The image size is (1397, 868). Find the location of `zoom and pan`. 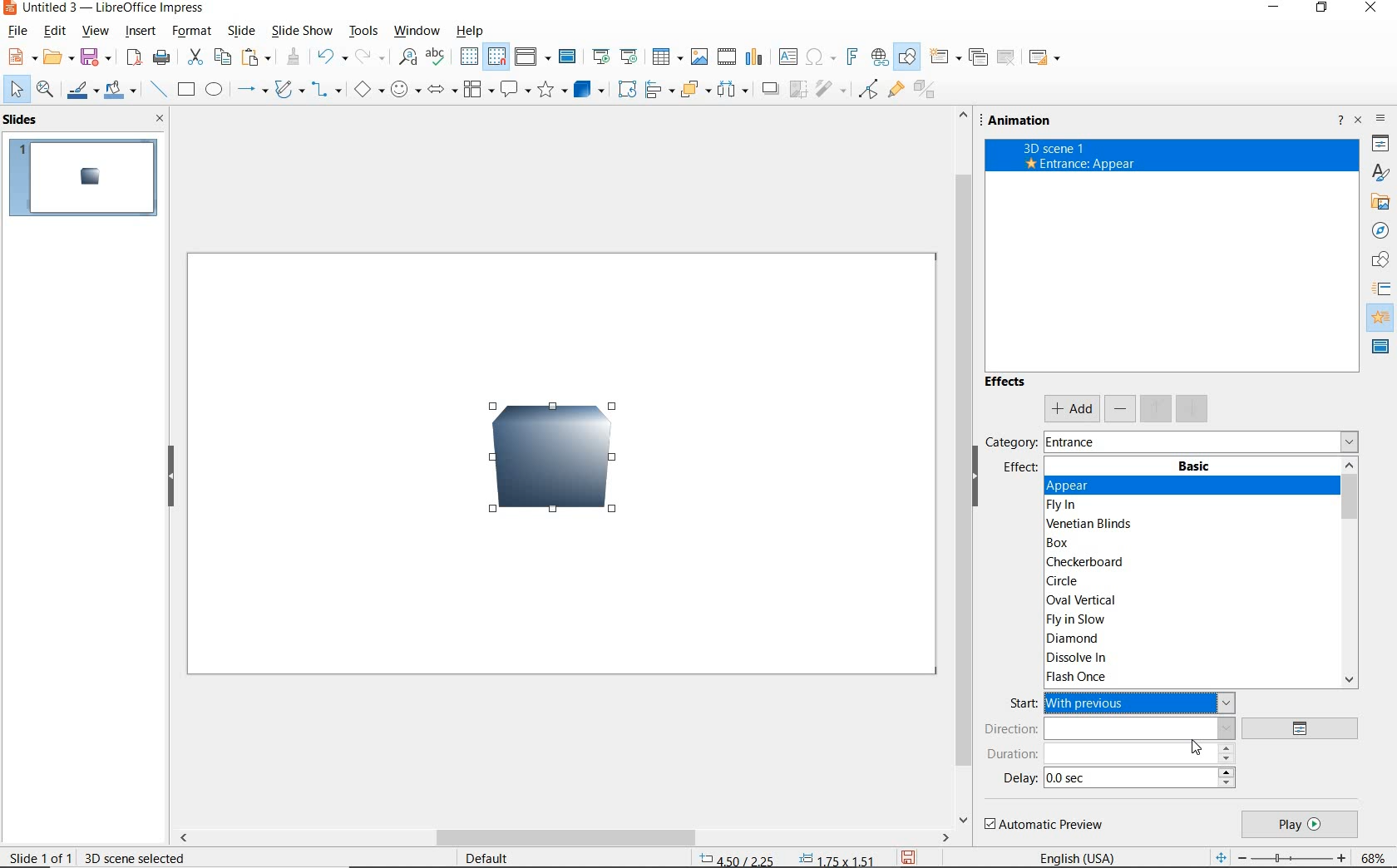

zoom and pan is located at coordinates (45, 91).